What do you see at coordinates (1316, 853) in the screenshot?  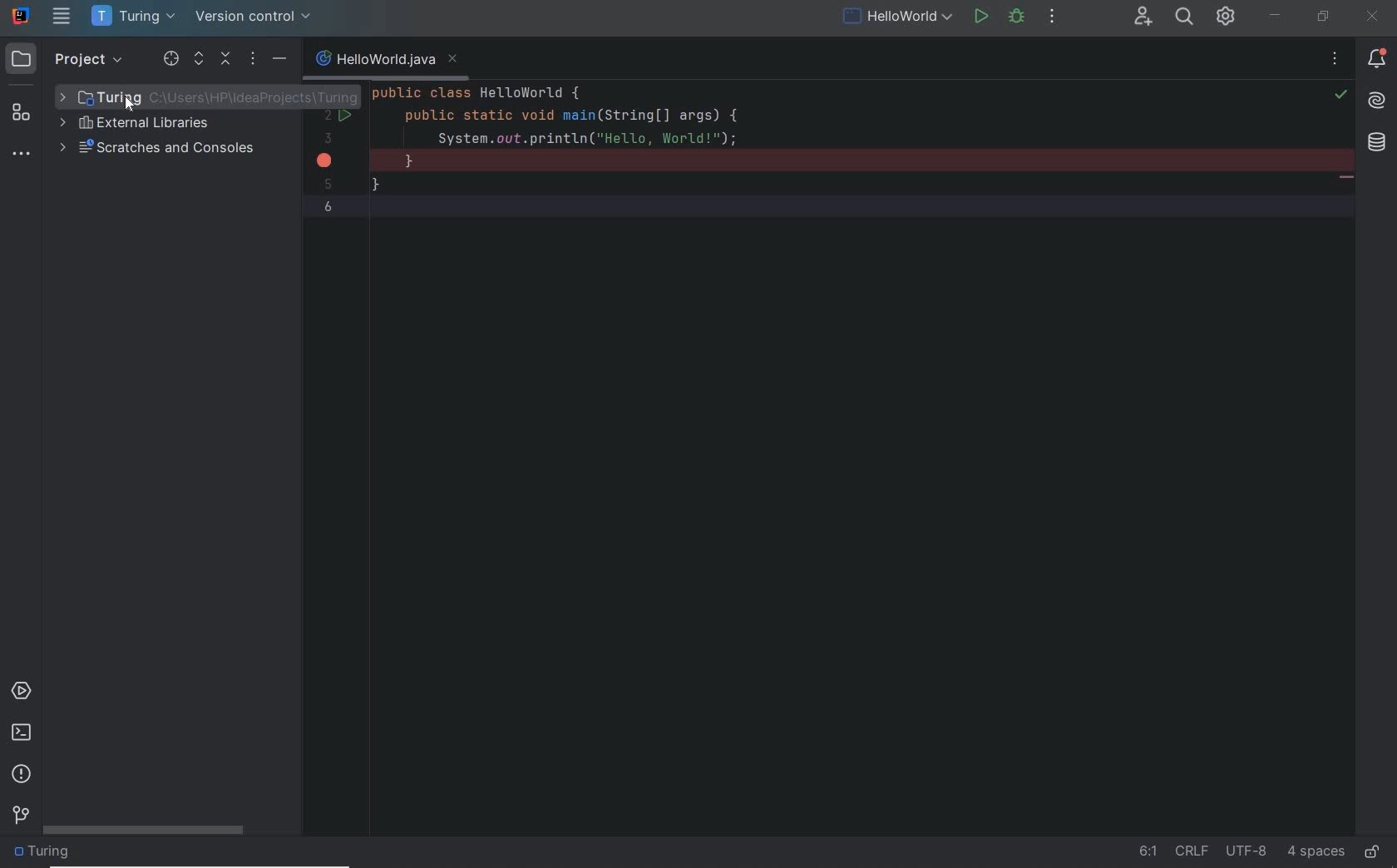 I see `Indent` at bounding box center [1316, 853].